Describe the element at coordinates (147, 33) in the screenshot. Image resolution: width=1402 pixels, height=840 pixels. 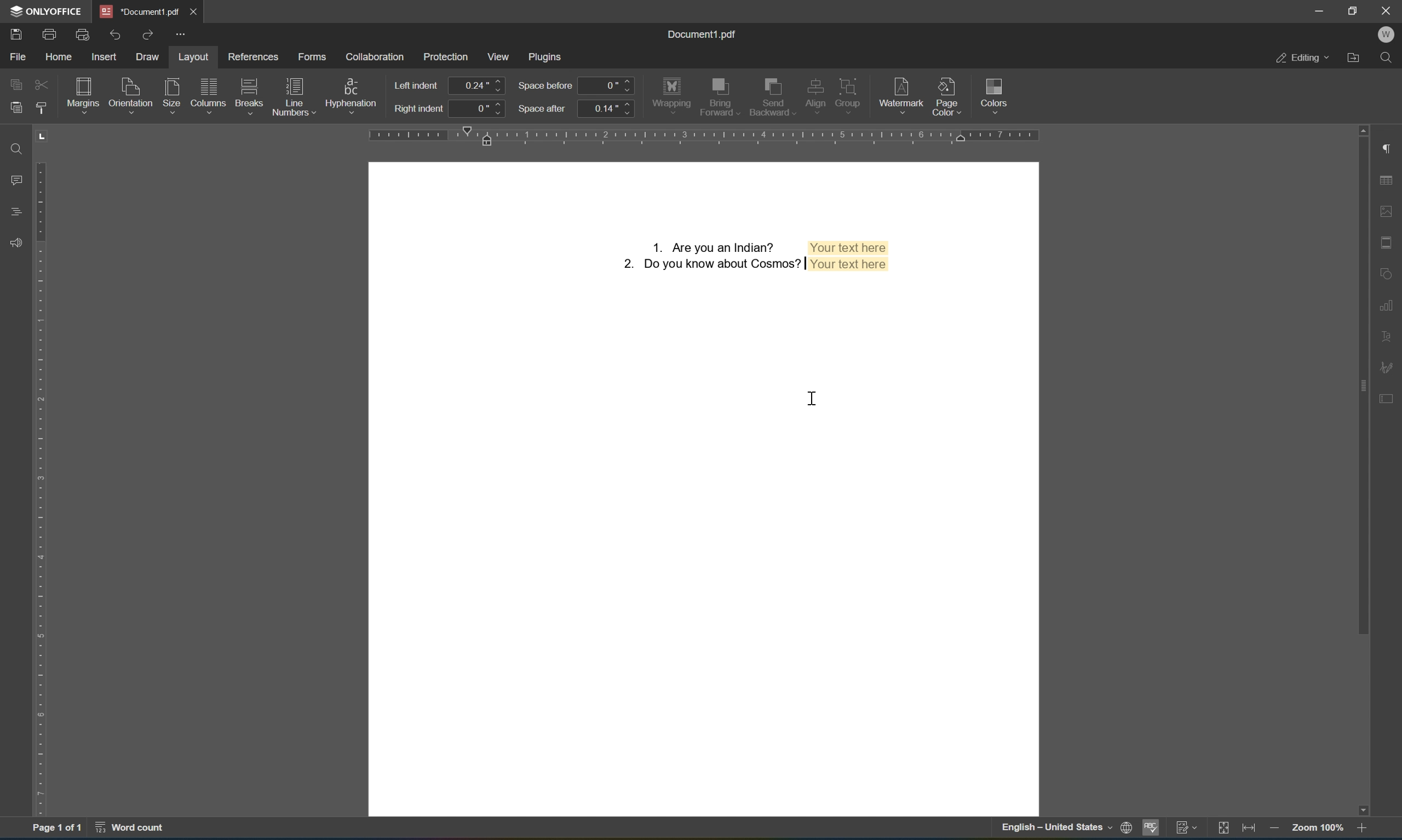
I see `redo` at that location.